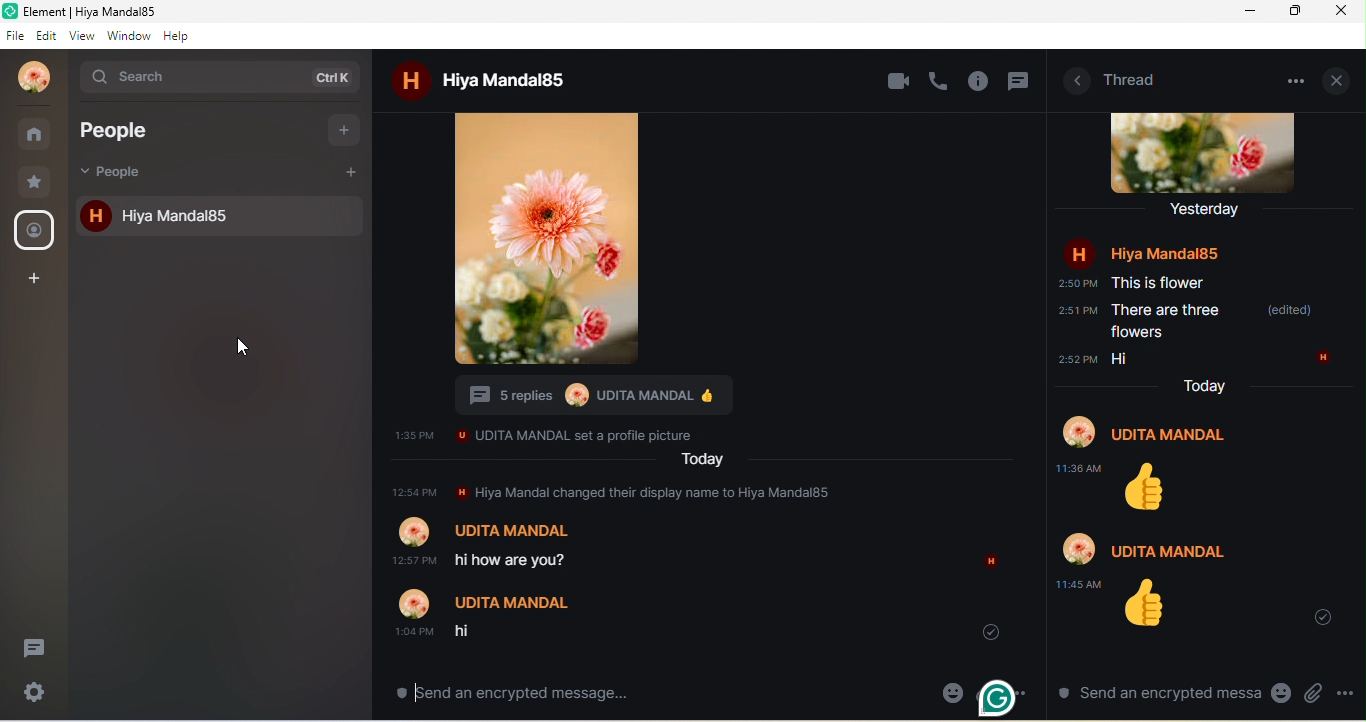  Describe the element at coordinates (121, 173) in the screenshot. I see `people` at that location.